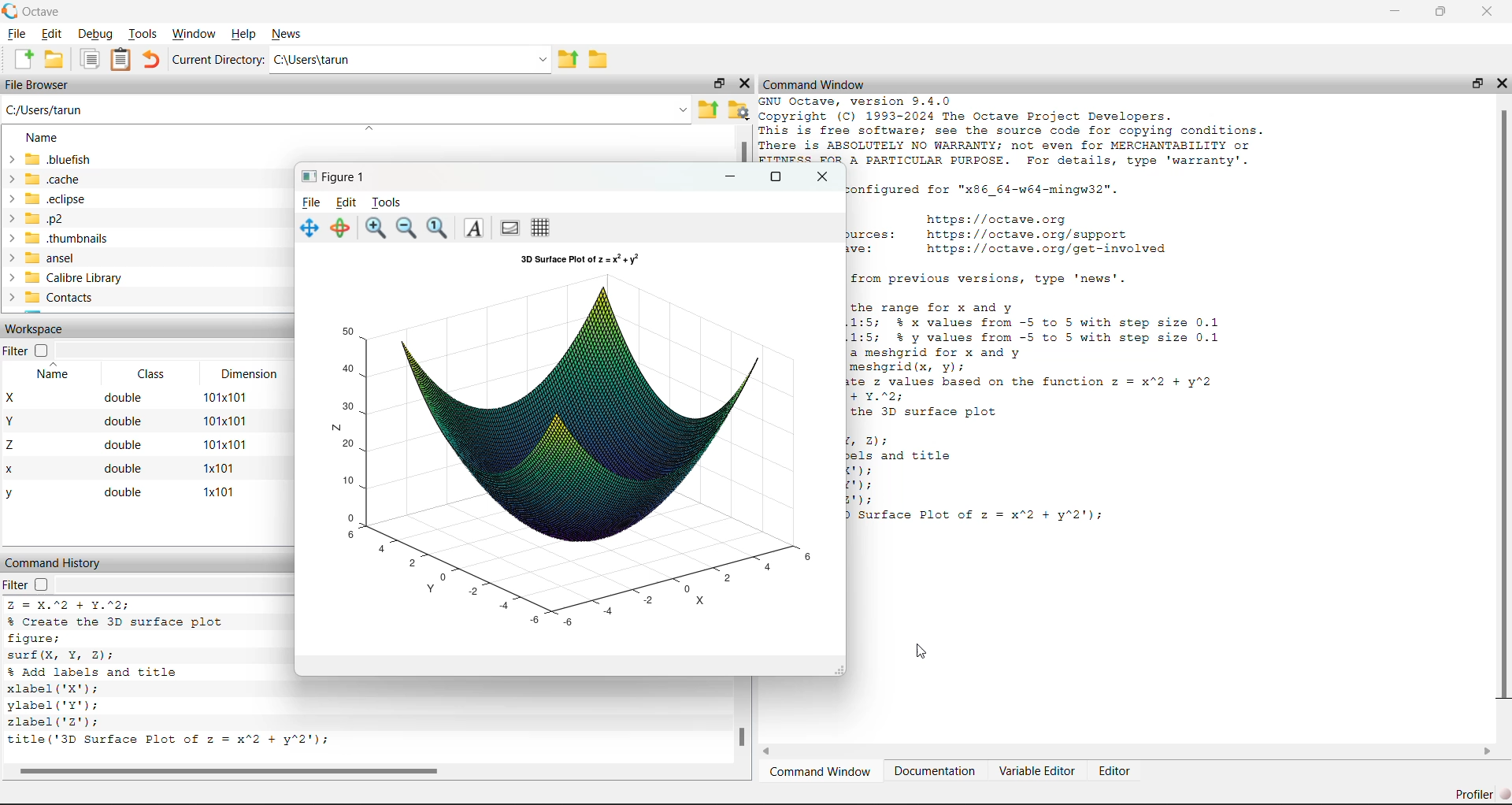 The width and height of the screenshot is (1512, 805). I want to click on % Create the 3D surface plot, so click(119, 622).